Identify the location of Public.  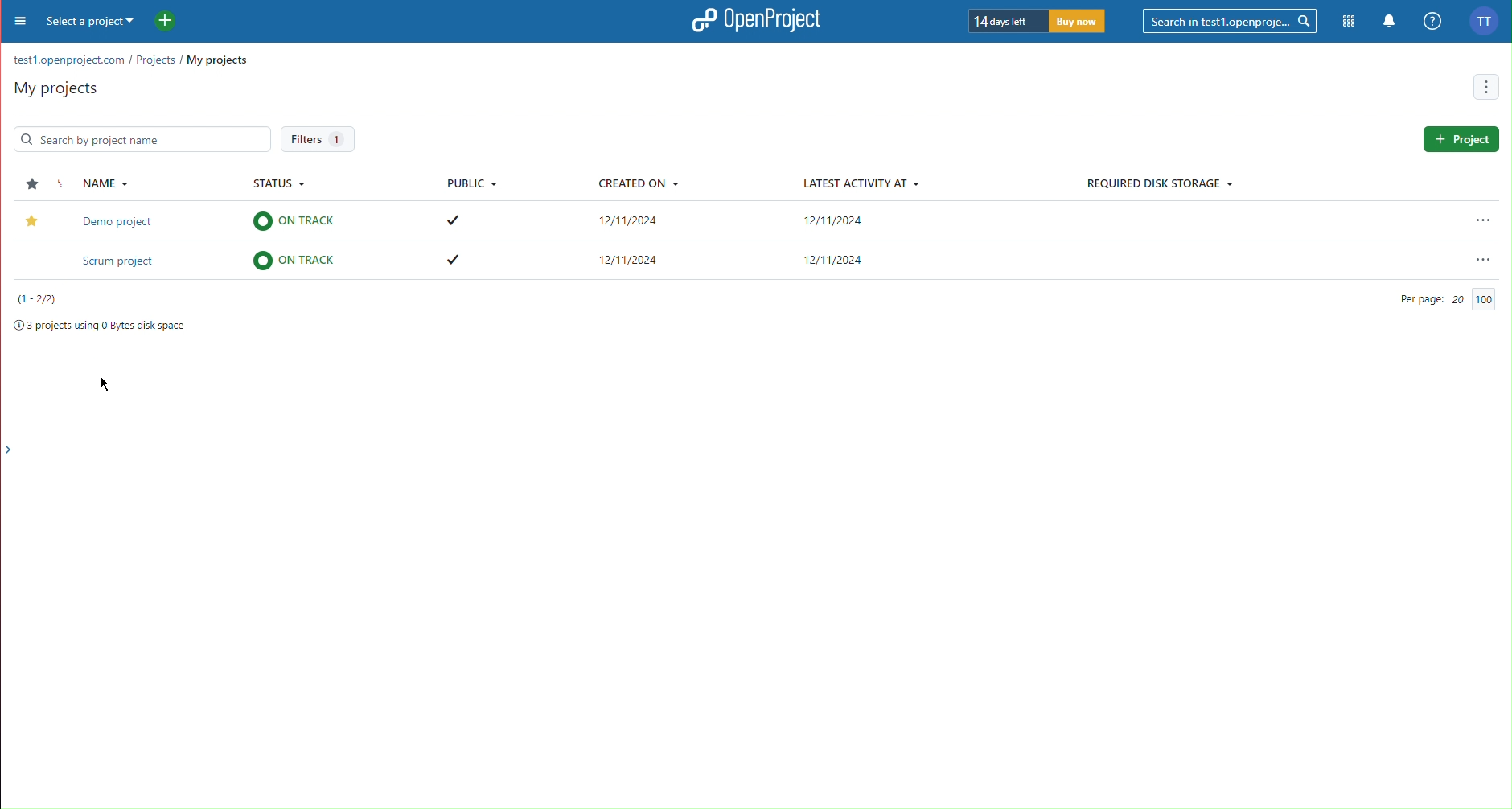
(471, 184).